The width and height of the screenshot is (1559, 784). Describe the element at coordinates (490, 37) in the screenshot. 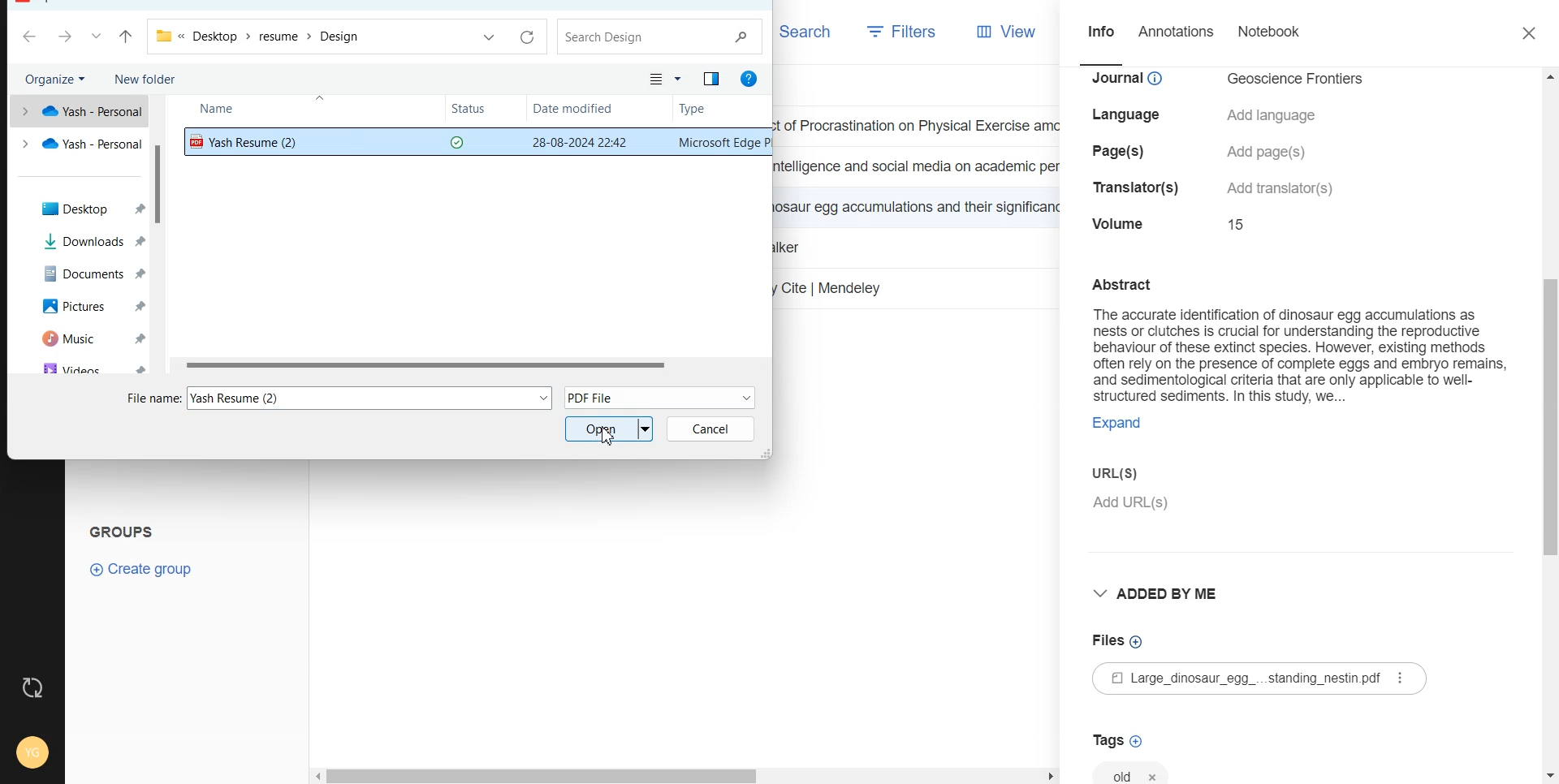

I see `Previous file` at that location.